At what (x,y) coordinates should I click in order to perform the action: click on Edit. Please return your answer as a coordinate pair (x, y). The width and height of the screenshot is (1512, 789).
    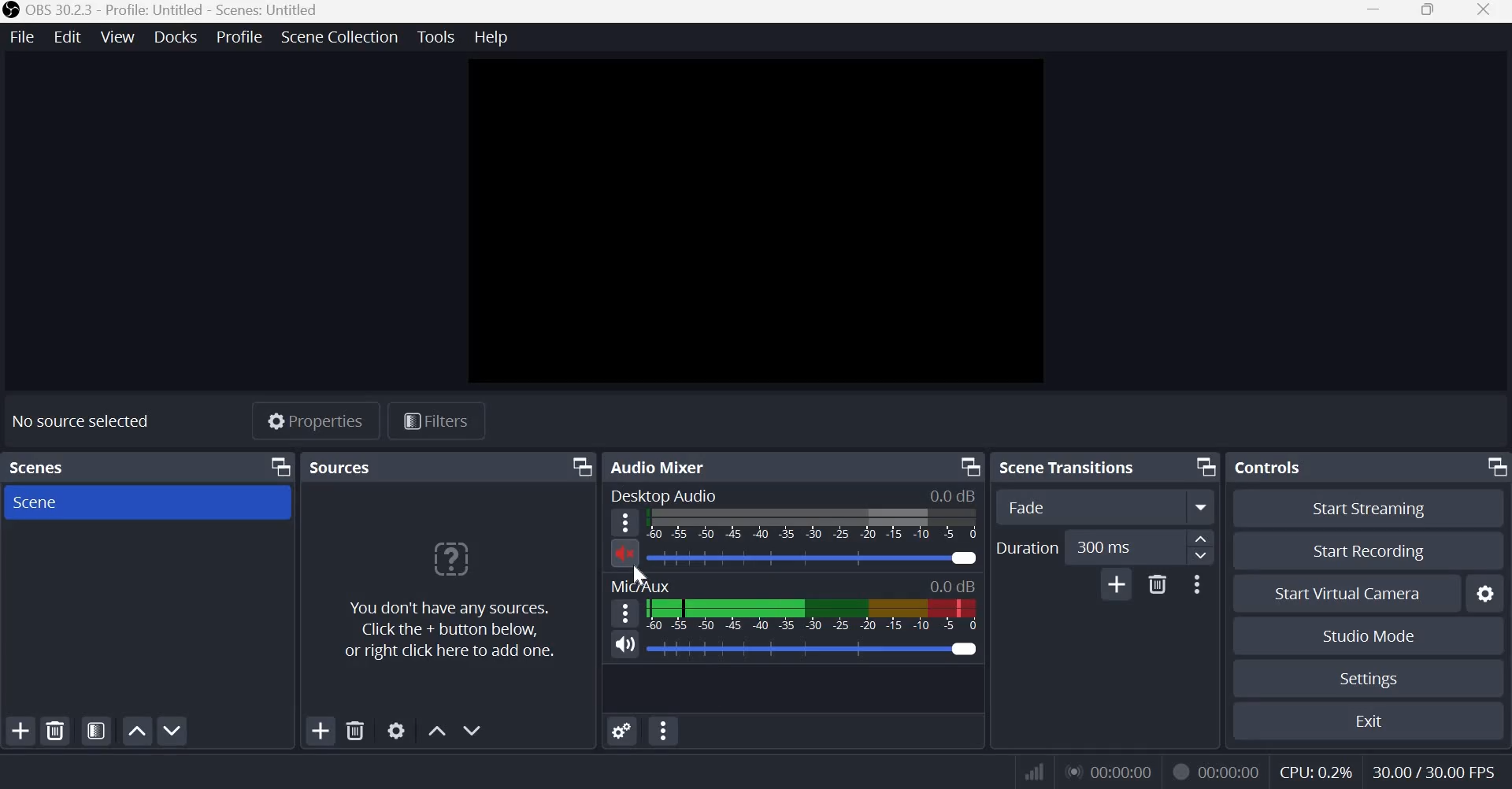
    Looking at the image, I should click on (68, 39).